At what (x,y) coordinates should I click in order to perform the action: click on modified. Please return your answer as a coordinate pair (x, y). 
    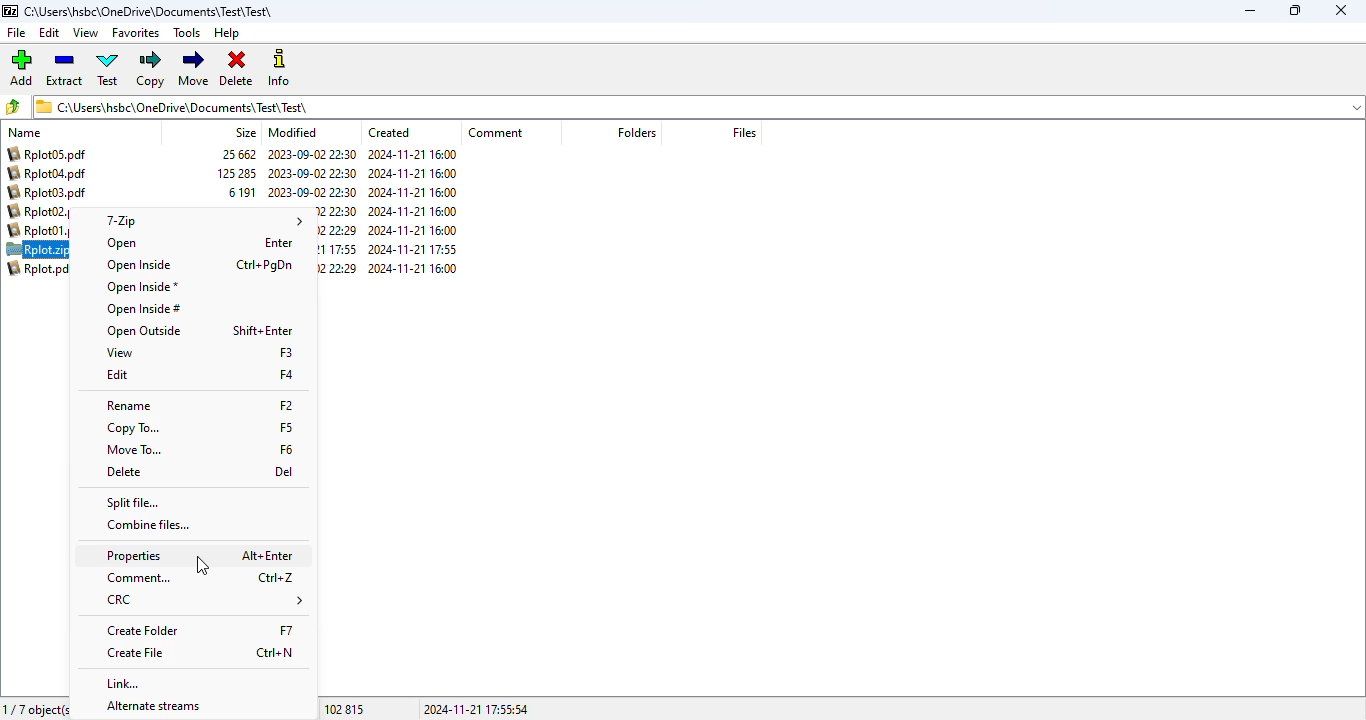
    Looking at the image, I should click on (293, 133).